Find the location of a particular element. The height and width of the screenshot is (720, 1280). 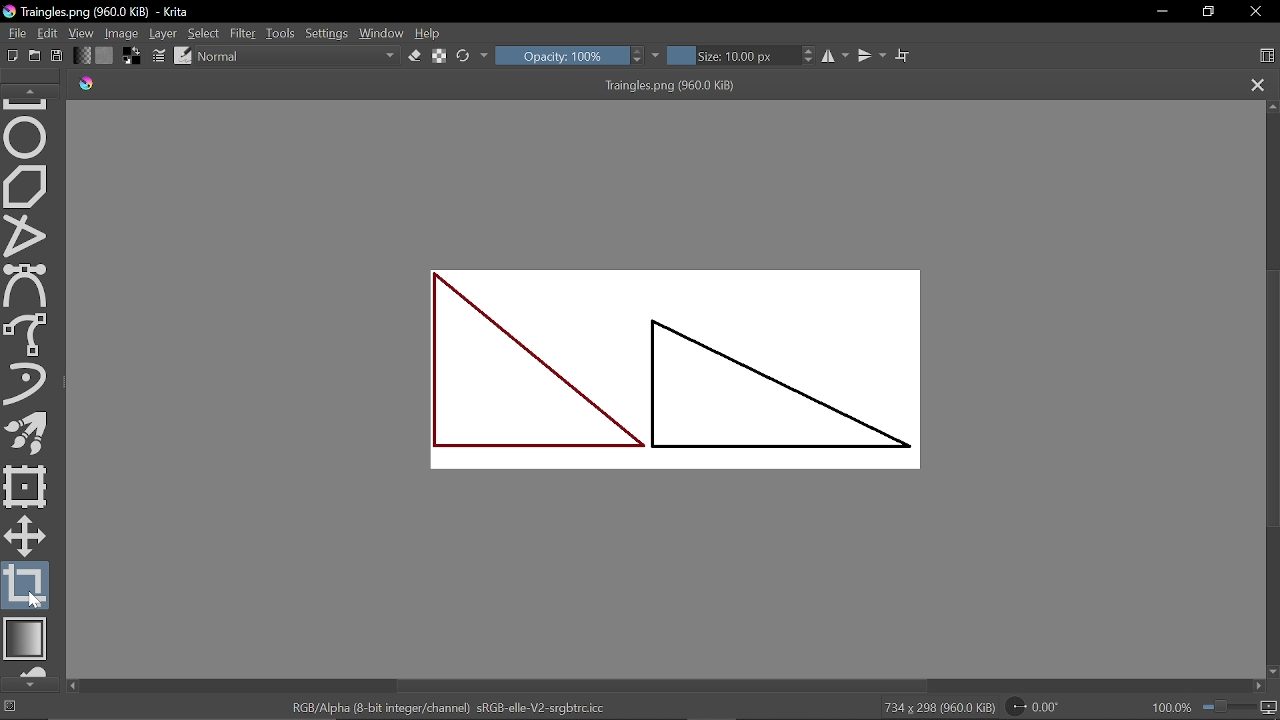

Choose brush preset is located at coordinates (182, 56).